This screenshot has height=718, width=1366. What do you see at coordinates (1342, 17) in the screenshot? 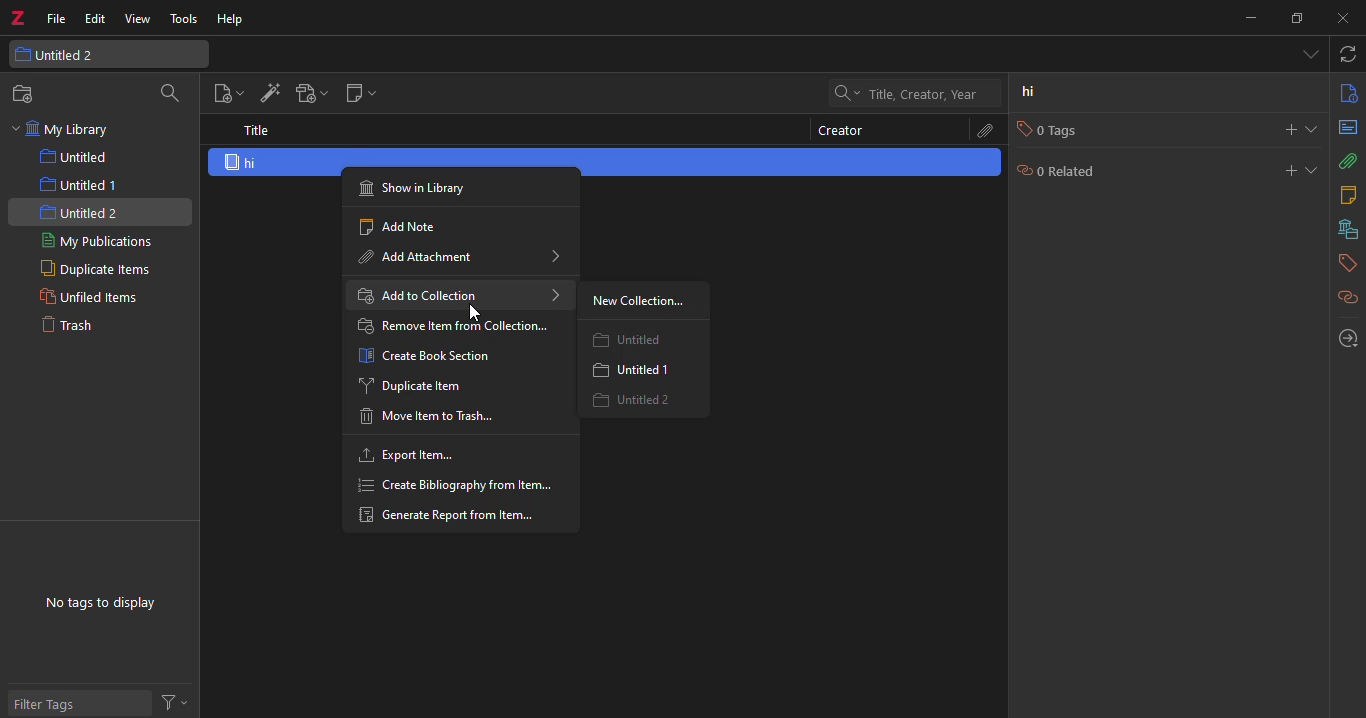
I see `close` at bounding box center [1342, 17].